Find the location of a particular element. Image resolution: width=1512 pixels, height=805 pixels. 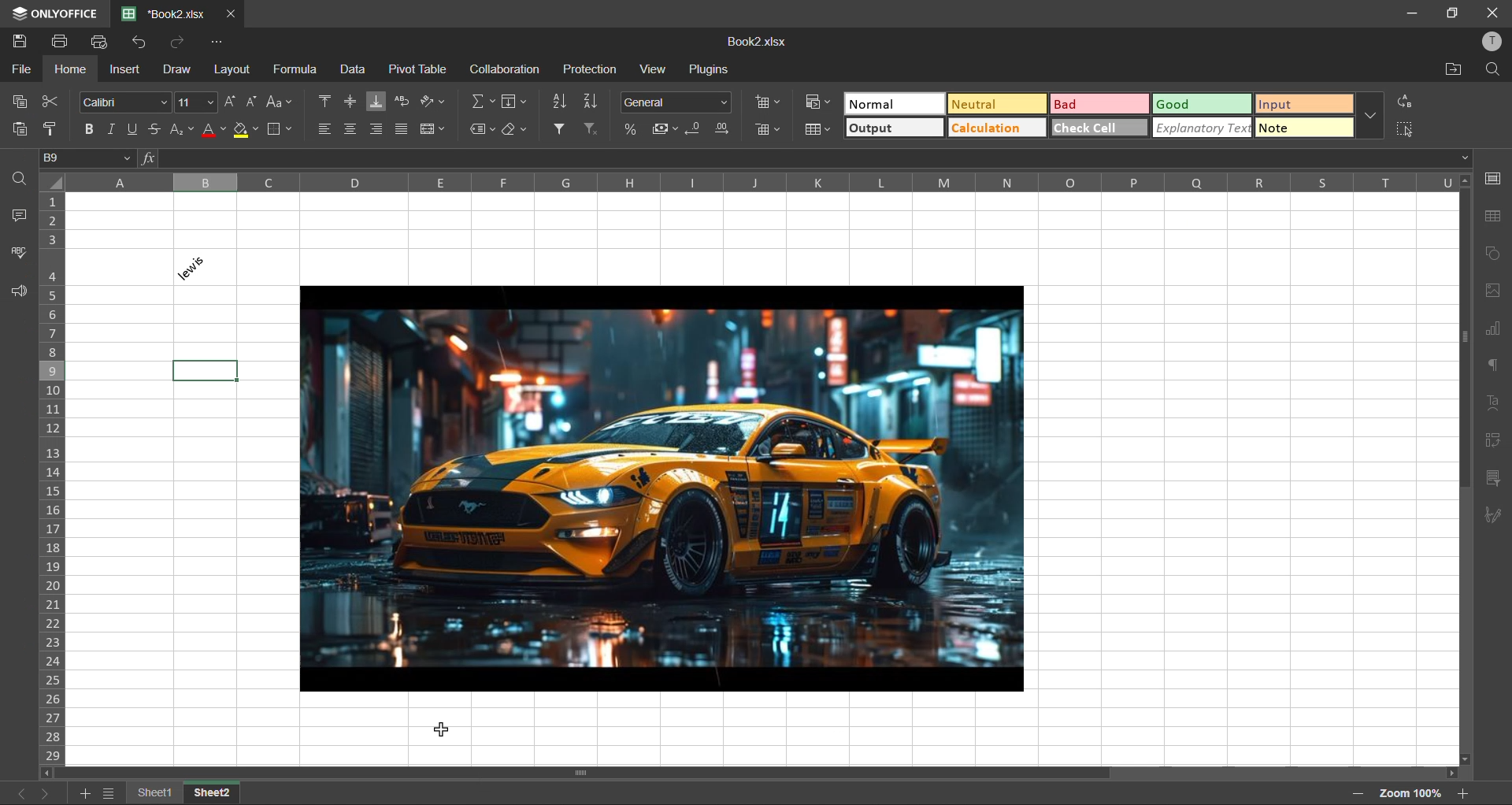

calculation is located at coordinates (995, 128).